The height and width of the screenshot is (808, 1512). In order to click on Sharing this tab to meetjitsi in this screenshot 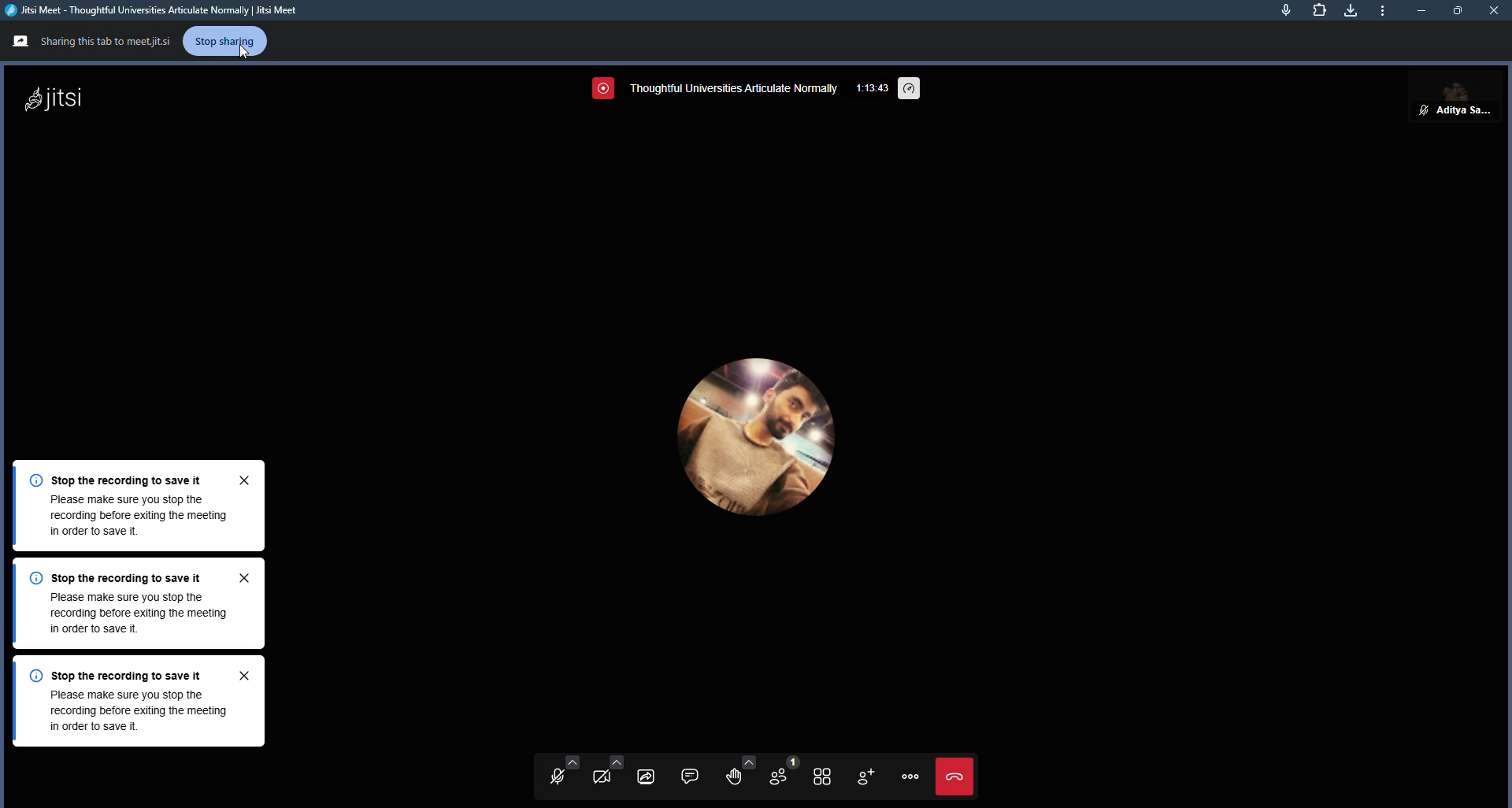, I will do `click(107, 42)`.